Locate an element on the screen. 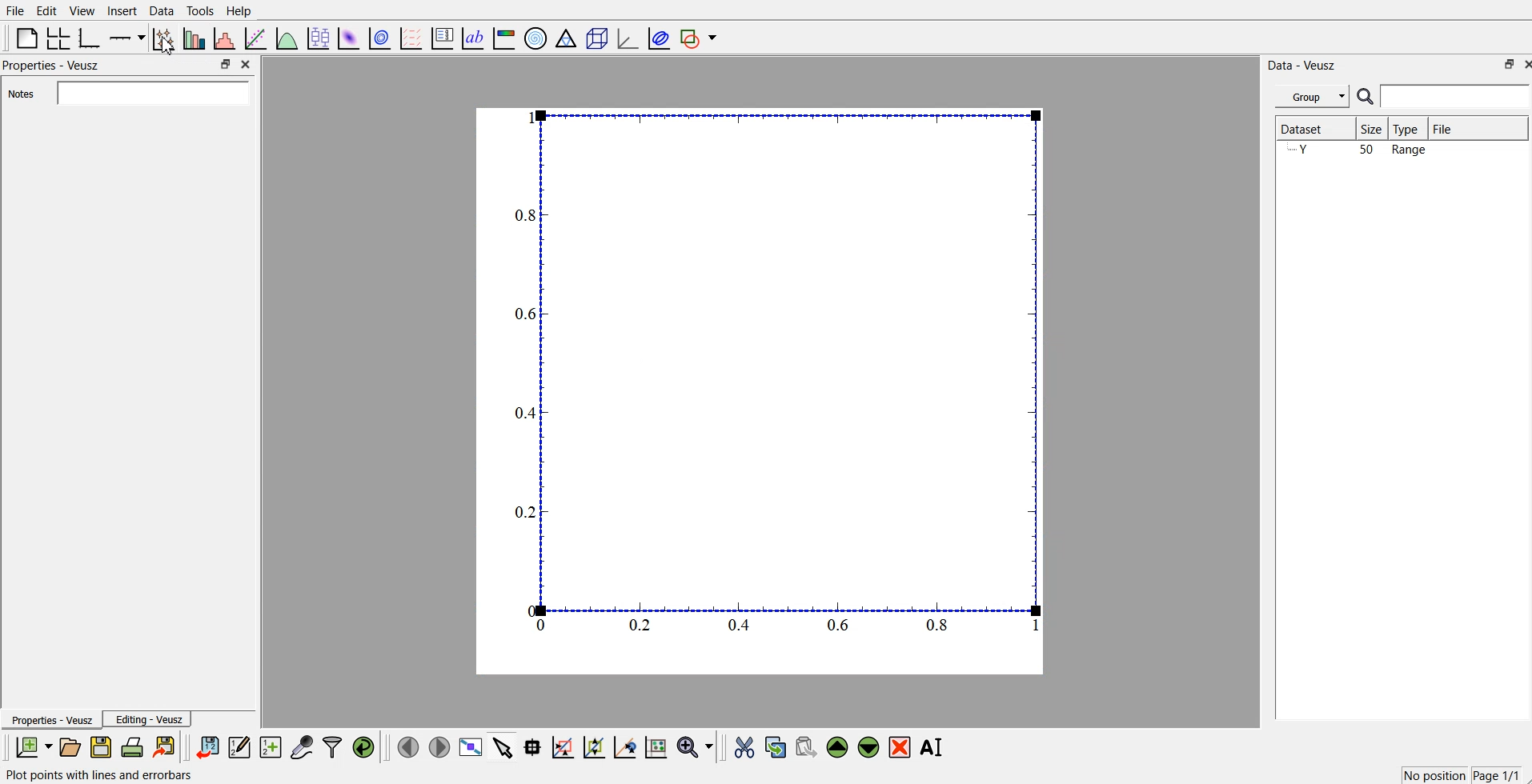  Properties - Veusz is located at coordinates (53, 720).